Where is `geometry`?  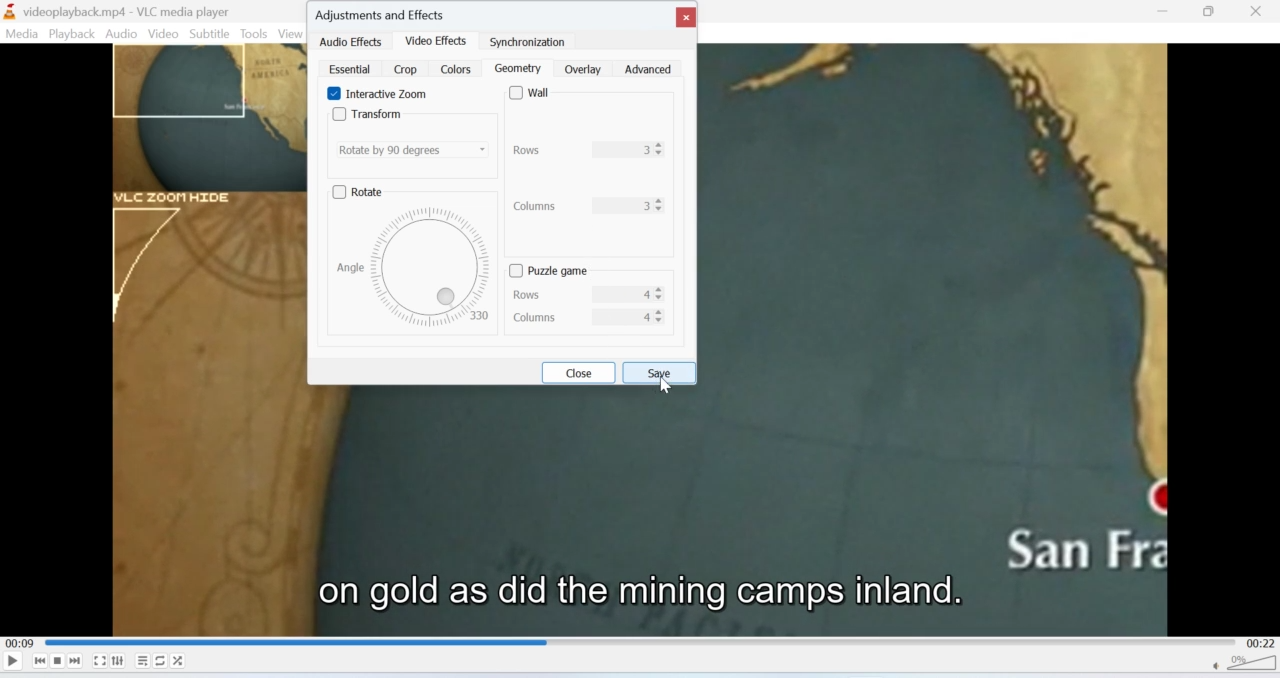
geometry is located at coordinates (519, 69).